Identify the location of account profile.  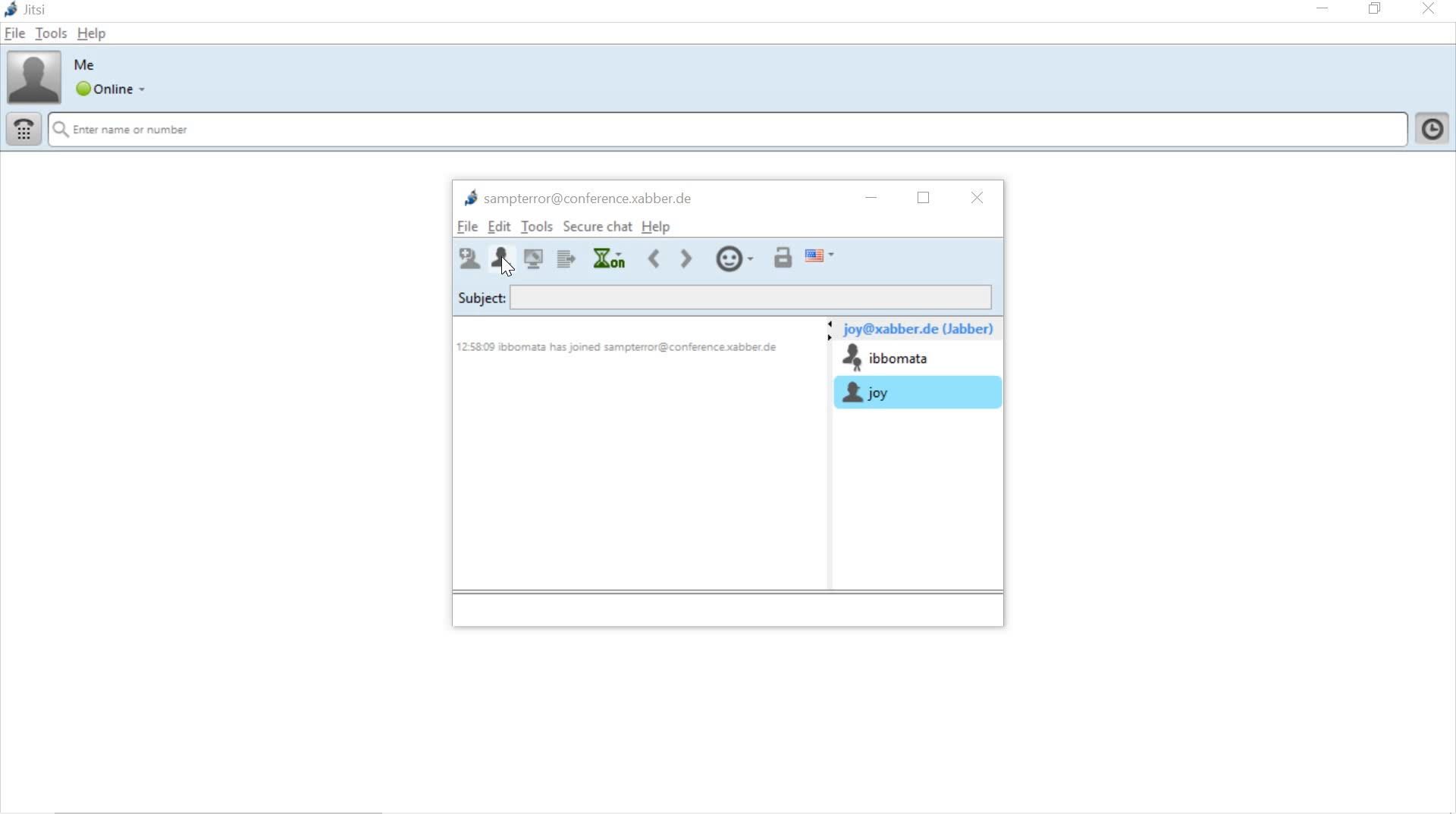
(30, 77).